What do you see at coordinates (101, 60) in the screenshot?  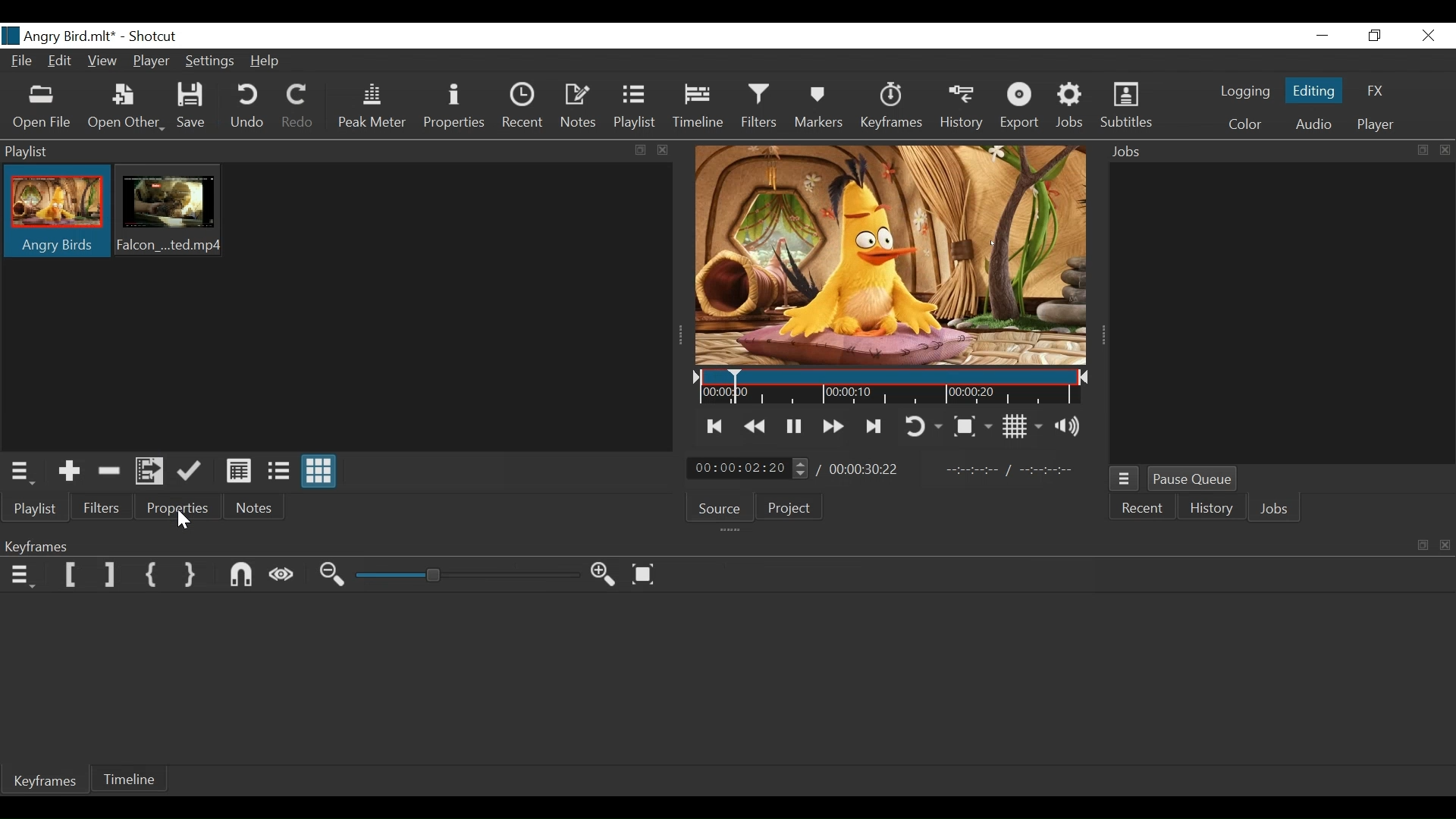 I see `View` at bounding box center [101, 60].